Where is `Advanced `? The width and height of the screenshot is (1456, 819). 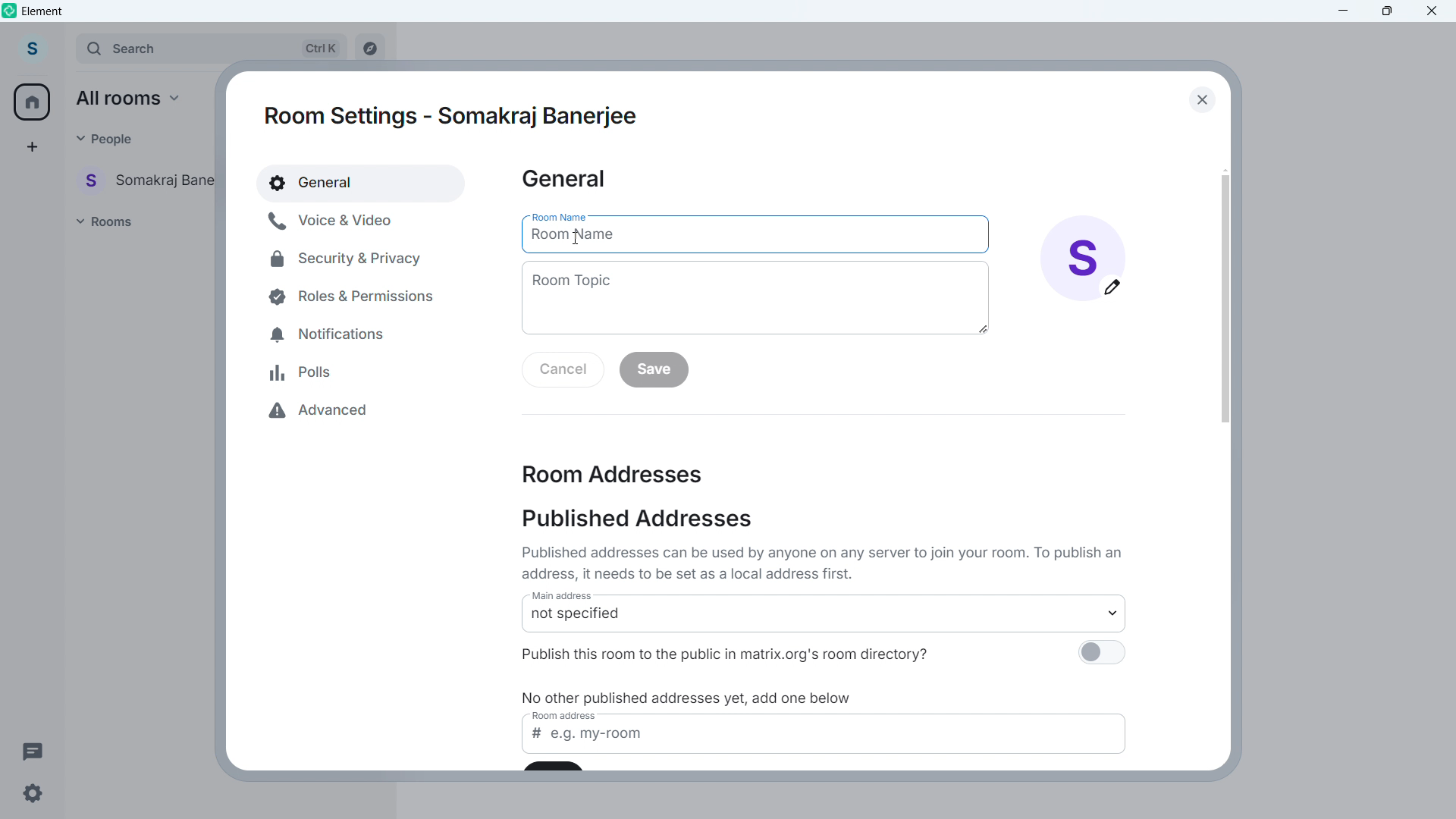
Advanced  is located at coordinates (330, 412).